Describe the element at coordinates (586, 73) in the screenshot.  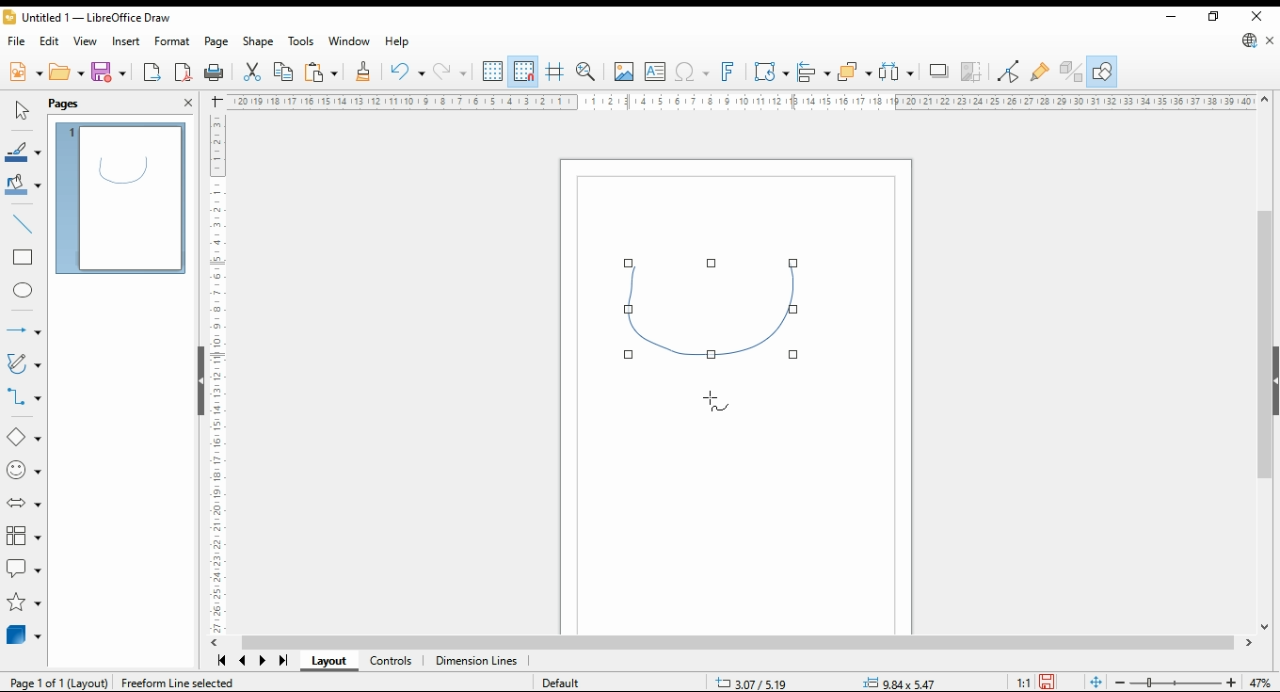
I see `zoom and pan` at that location.